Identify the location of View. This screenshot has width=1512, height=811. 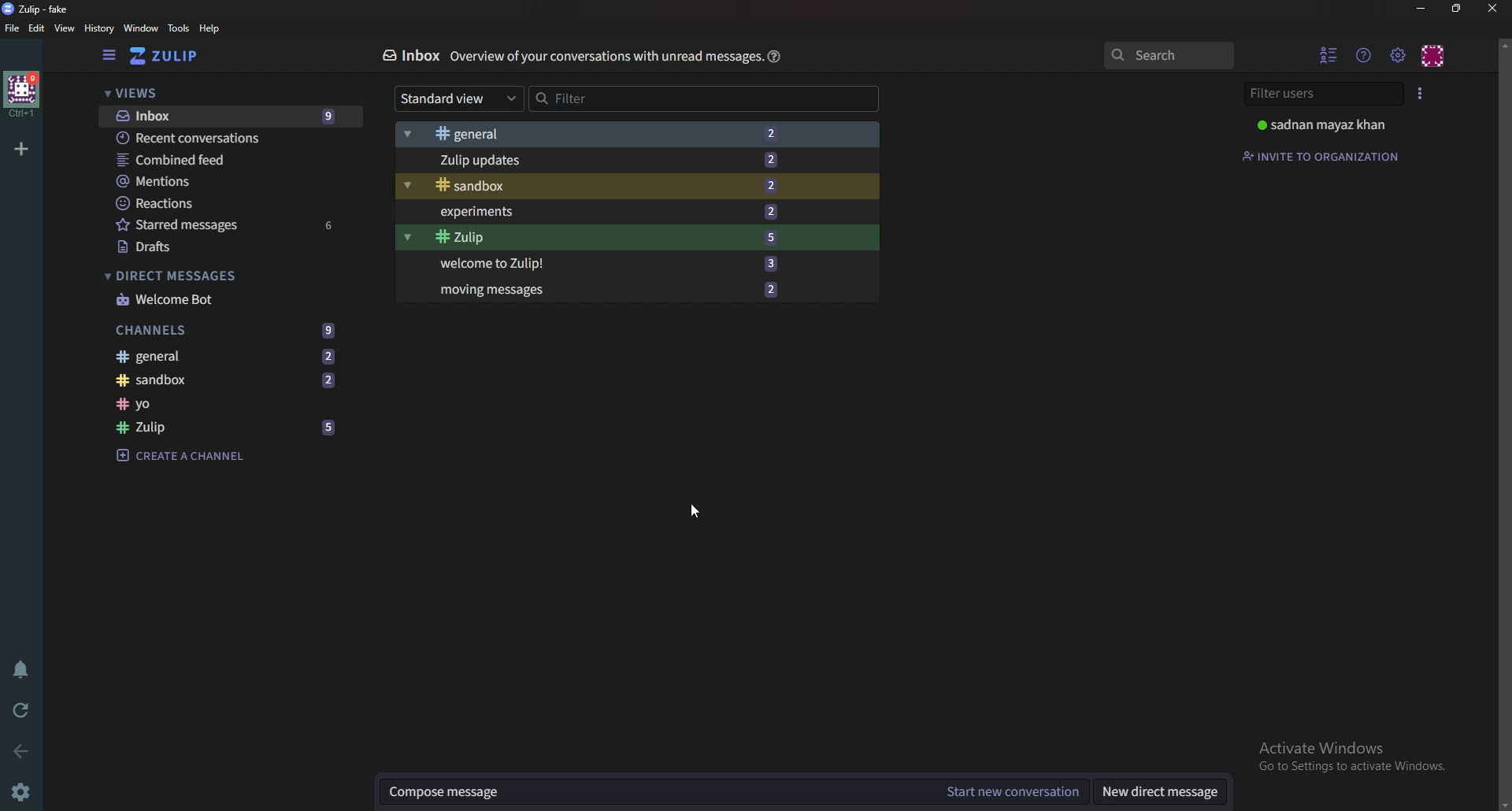
(64, 28).